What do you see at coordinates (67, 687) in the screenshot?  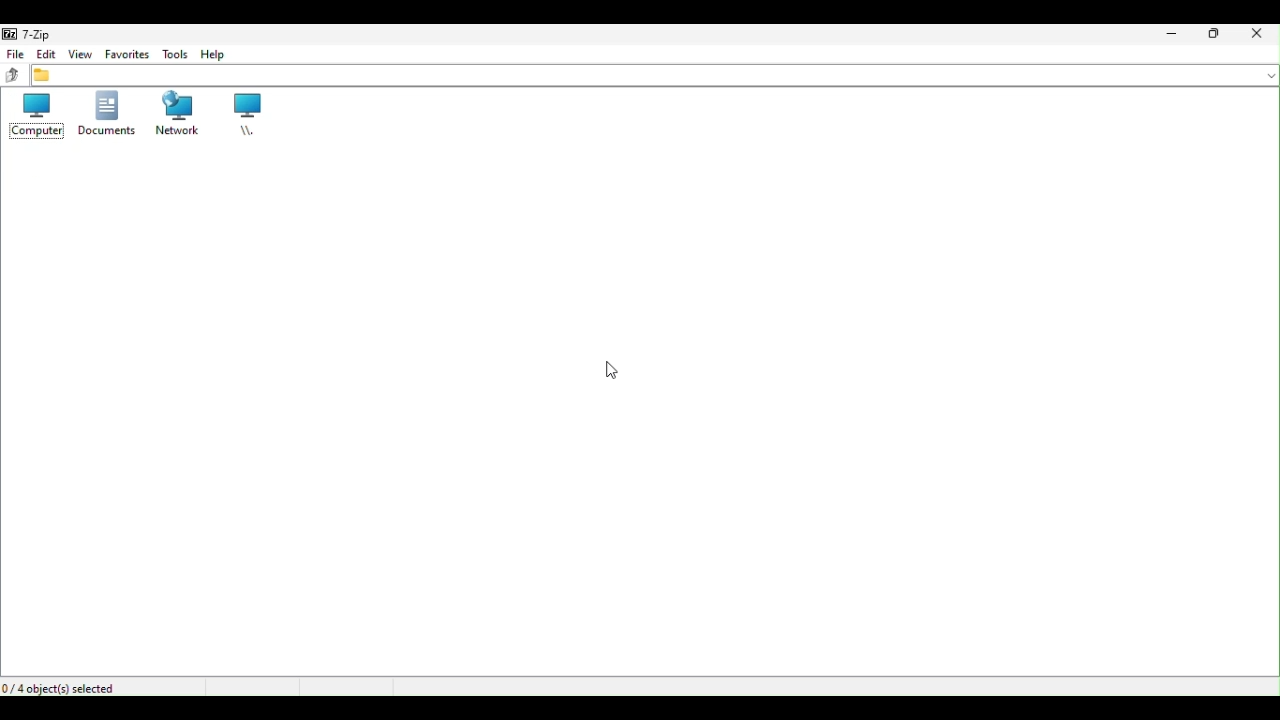 I see `Four objects selected` at bounding box center [67, 687].